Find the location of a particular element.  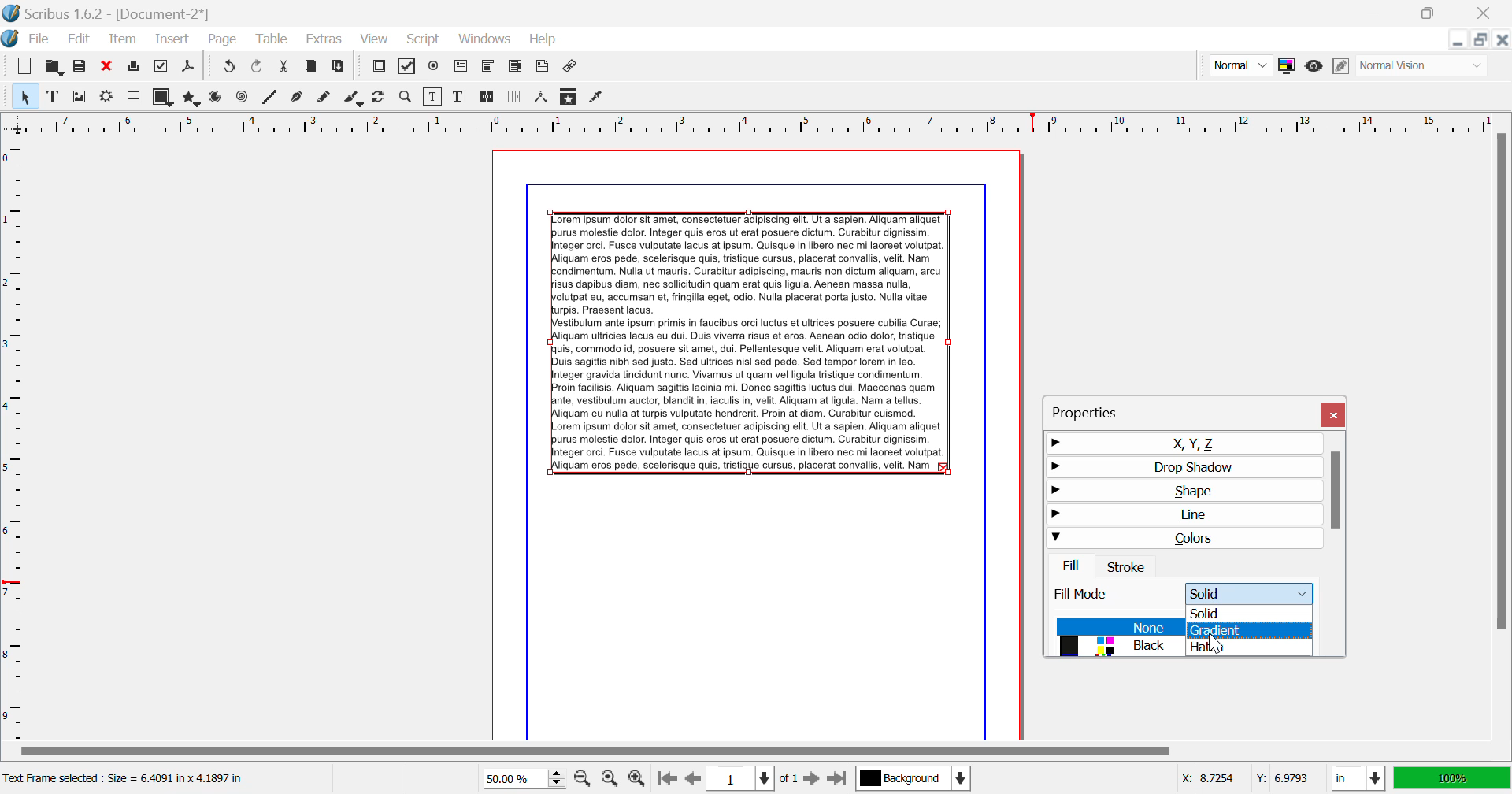

Script is located at coordinates (424, 38).